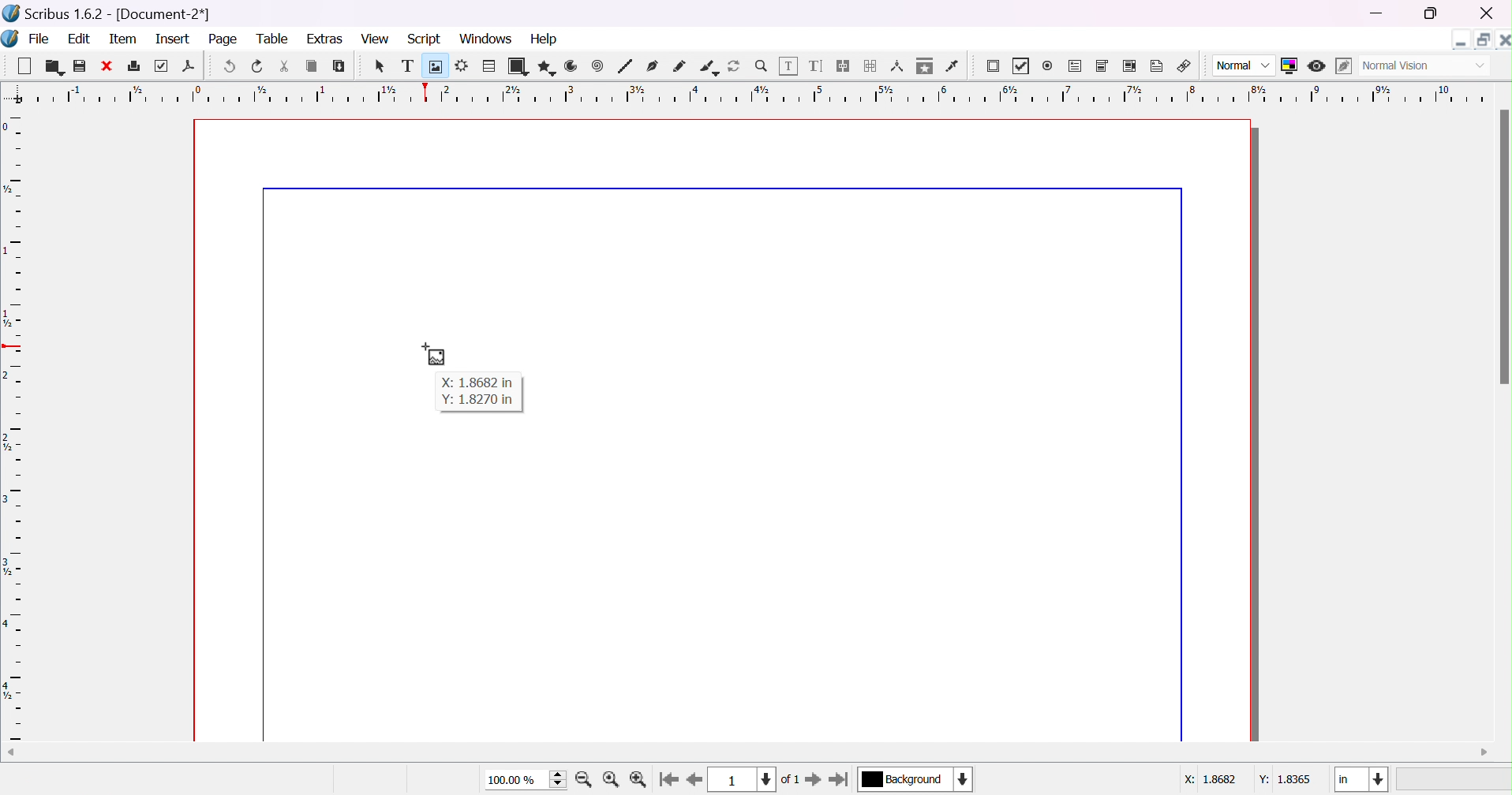  Describe the element at coordinates (818, 66) in the screenshot. I see `edit text with story editor` at that location.